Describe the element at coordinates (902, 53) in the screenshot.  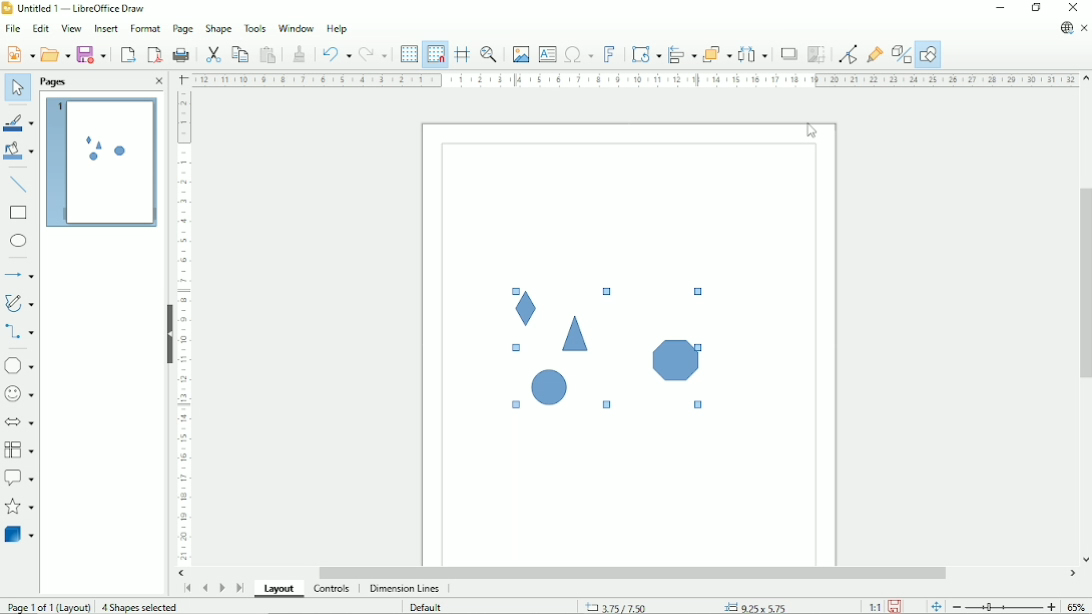
I see `Toggle extrusion` at that location.